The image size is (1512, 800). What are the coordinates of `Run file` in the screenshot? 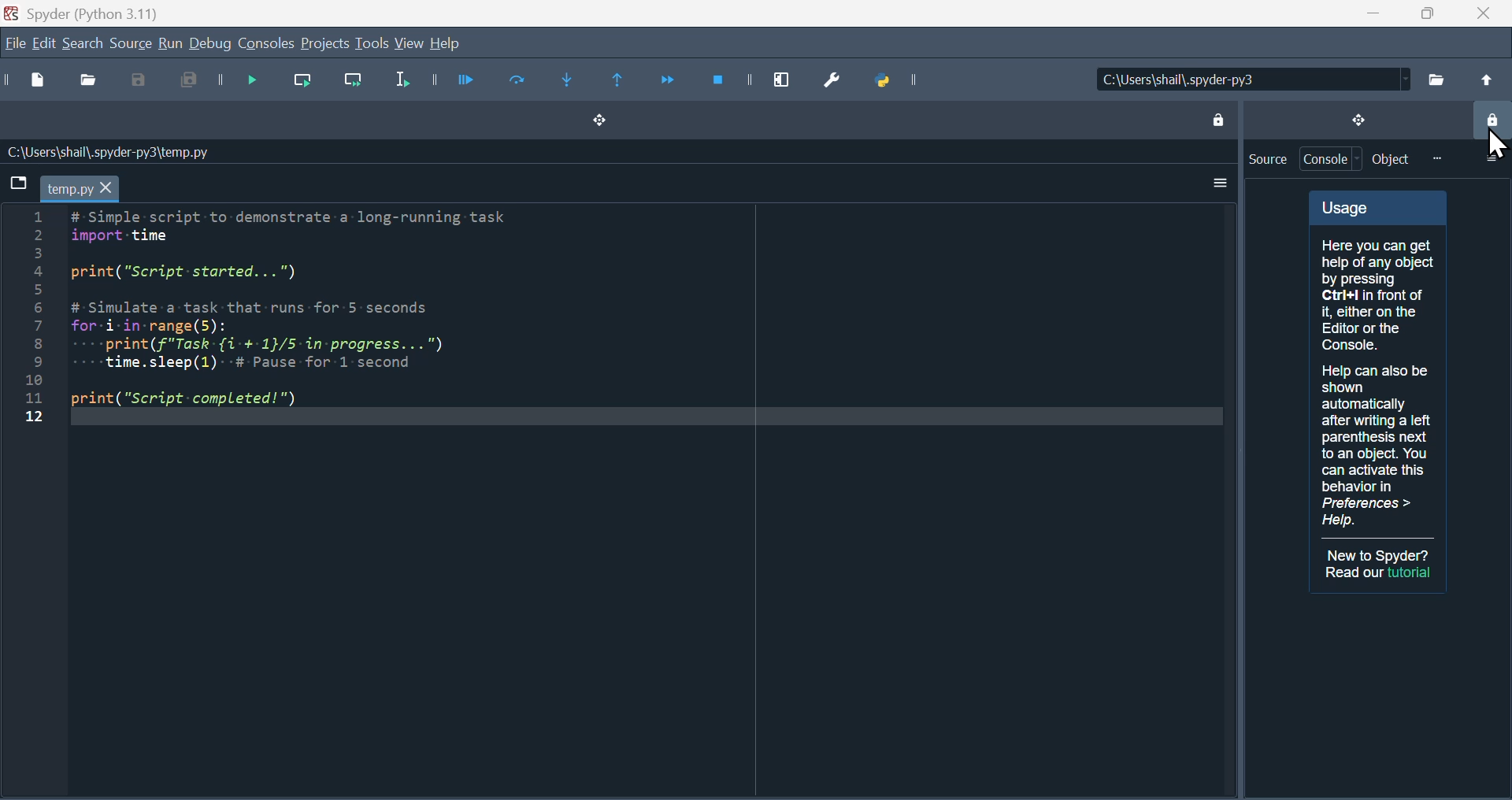 It's located at (465, 80).